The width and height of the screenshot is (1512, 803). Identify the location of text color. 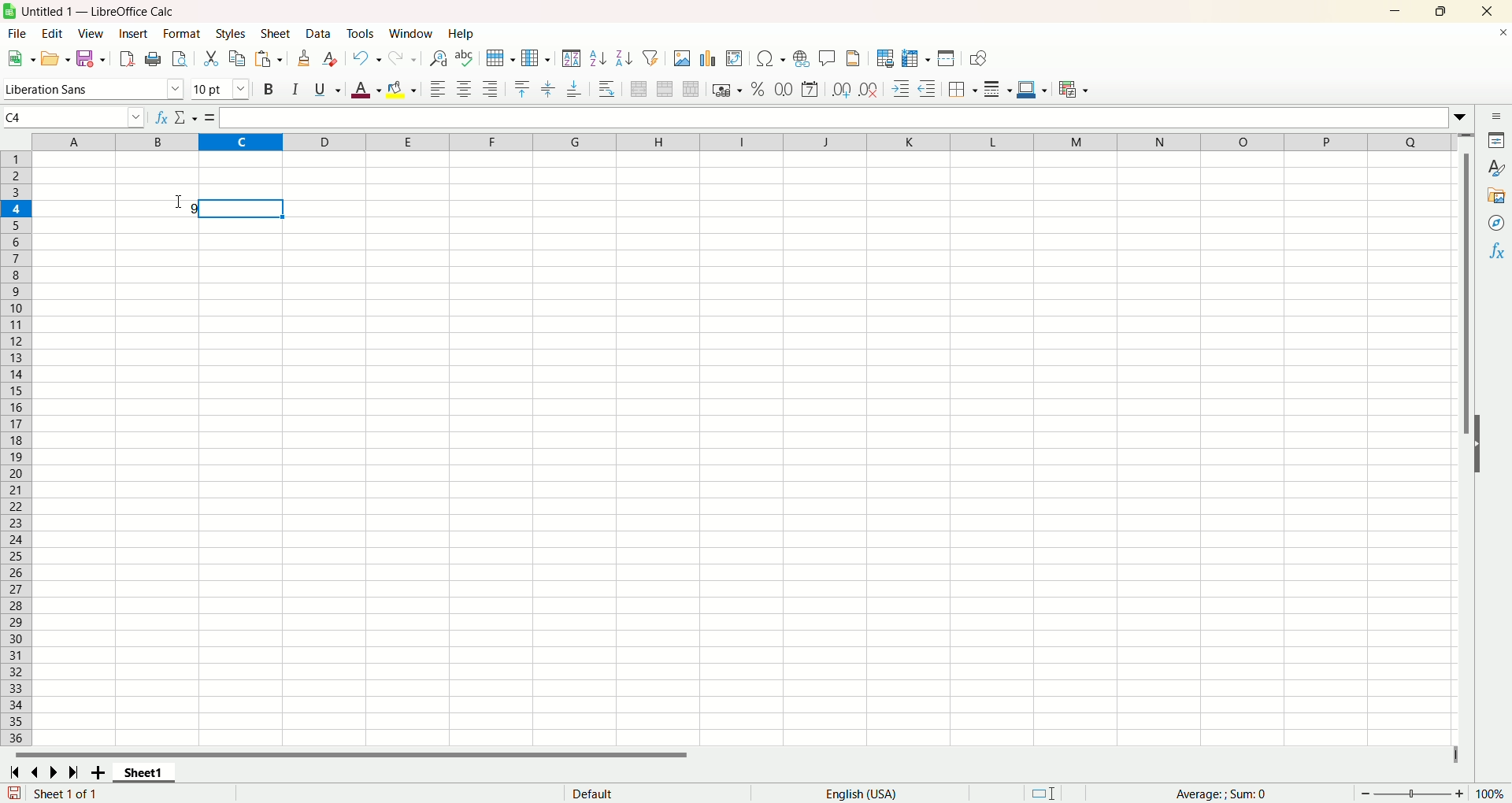
(362, 92).